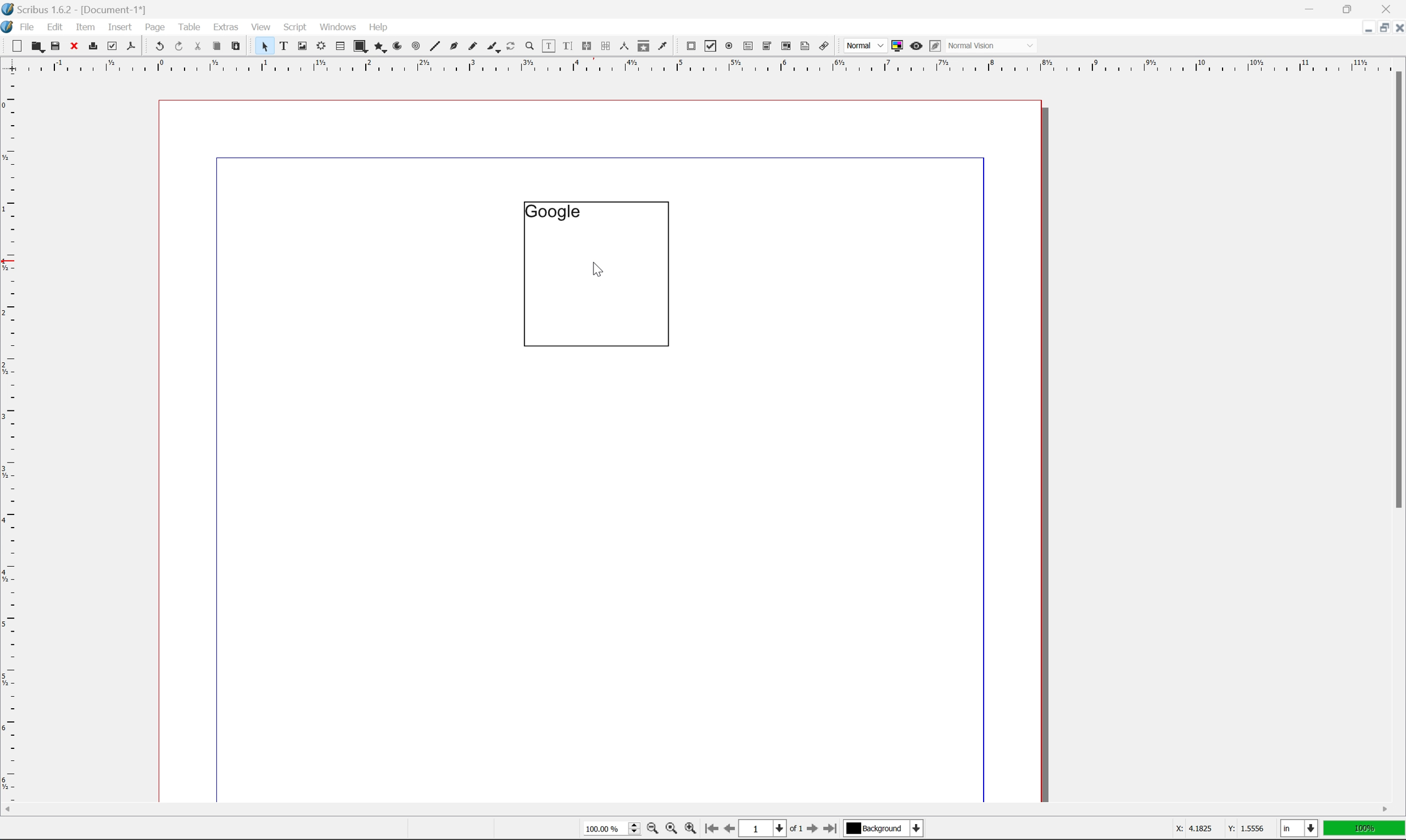  I want to click on minimize, so click(1311, 8).